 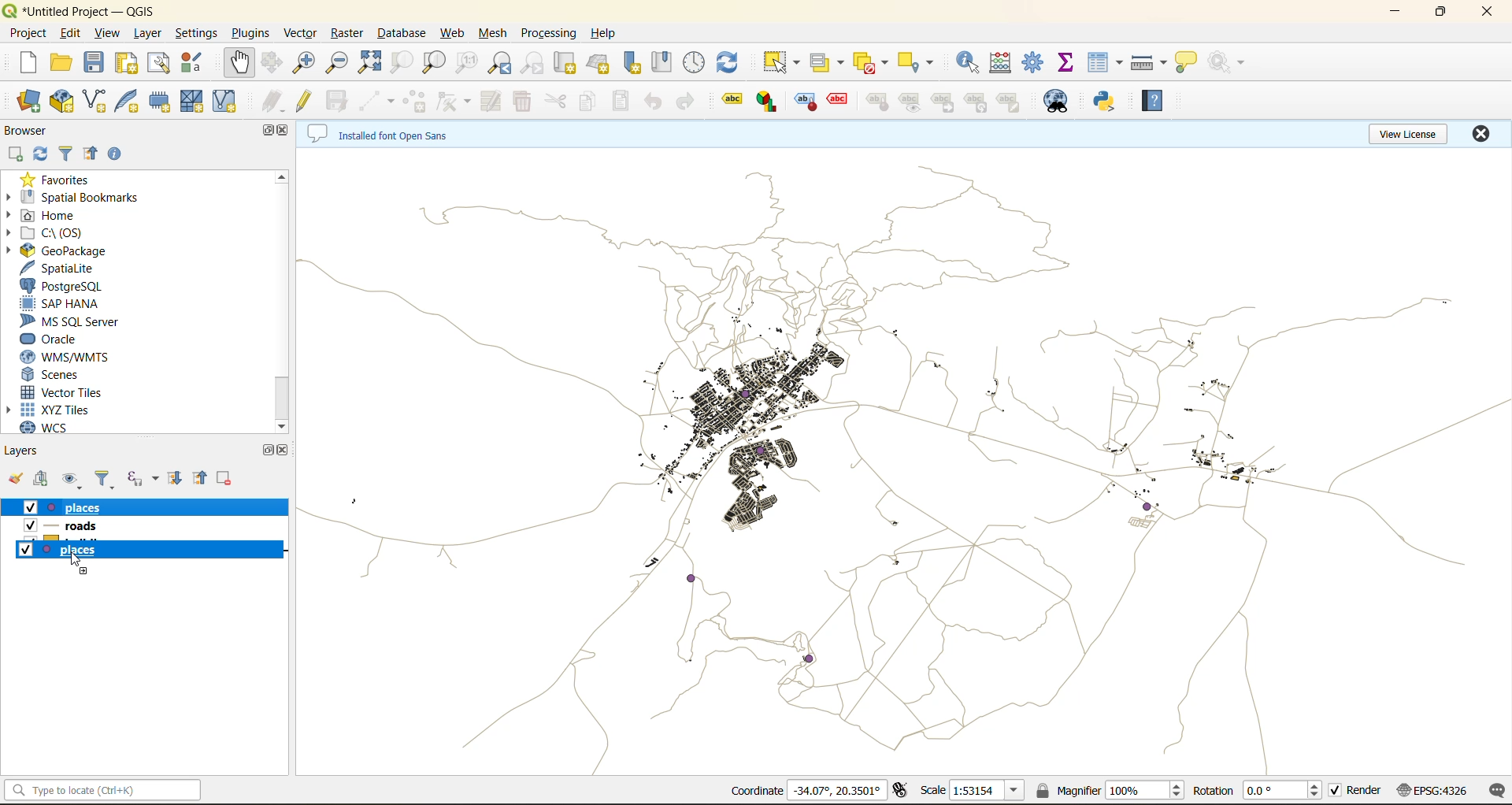 What do you see at coordinates (1442, 13) in the screenshot?
I see `maximize` at bounding box center [1442, 13].